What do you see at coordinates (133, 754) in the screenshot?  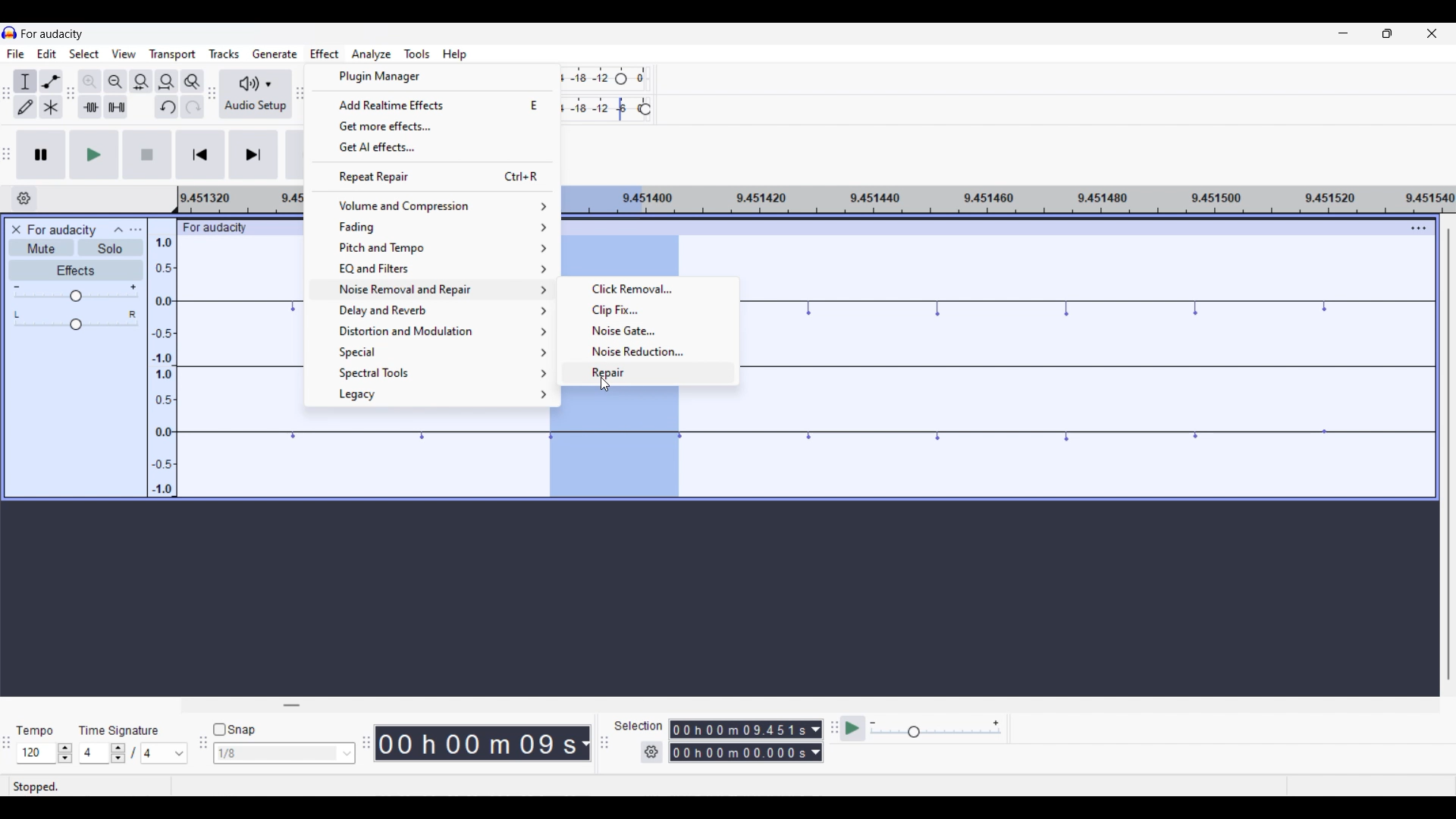 I see `Time signature settings` at bounding box center [133, 754].